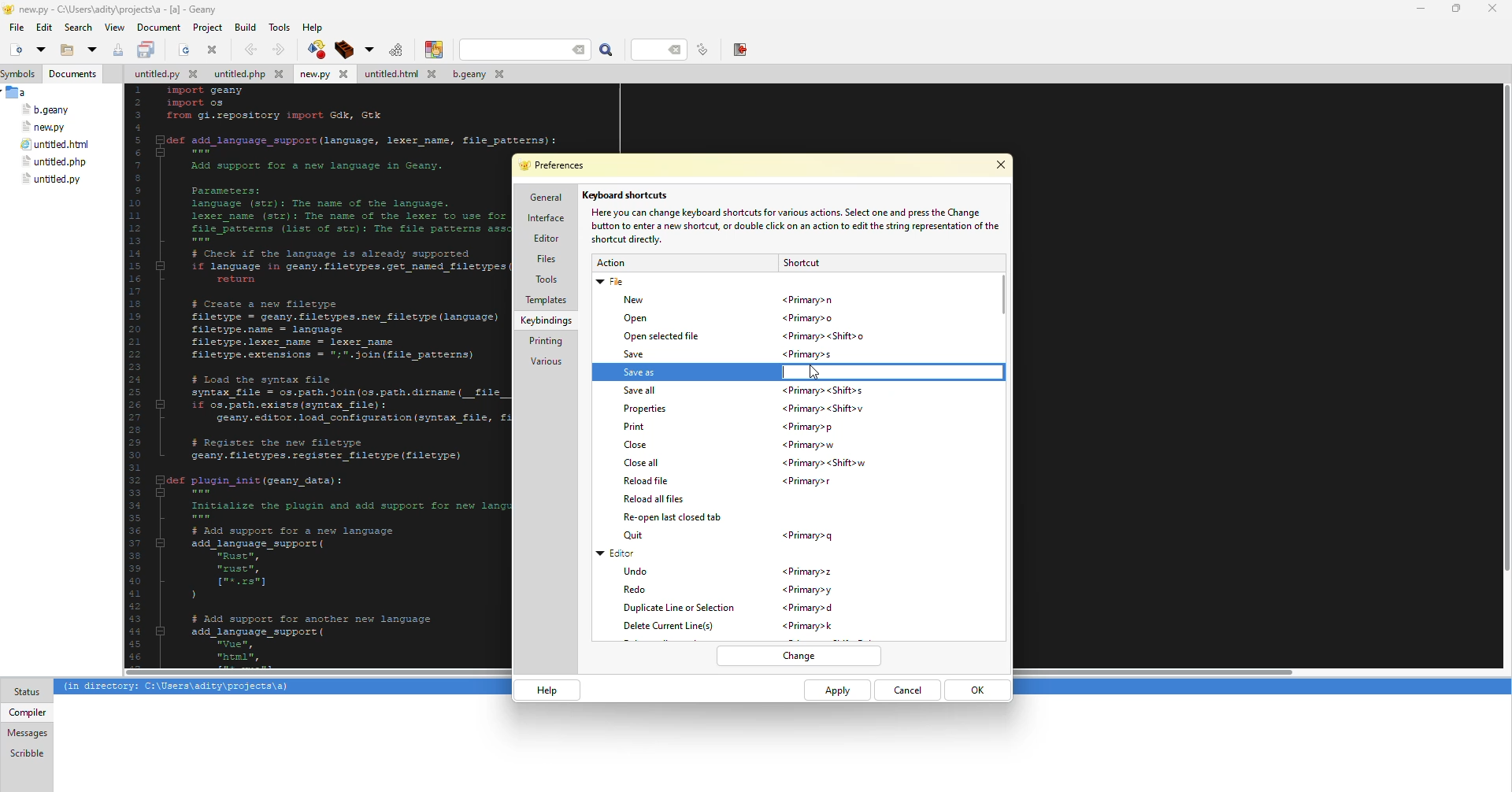  I want to click on status, so click(27, 692).